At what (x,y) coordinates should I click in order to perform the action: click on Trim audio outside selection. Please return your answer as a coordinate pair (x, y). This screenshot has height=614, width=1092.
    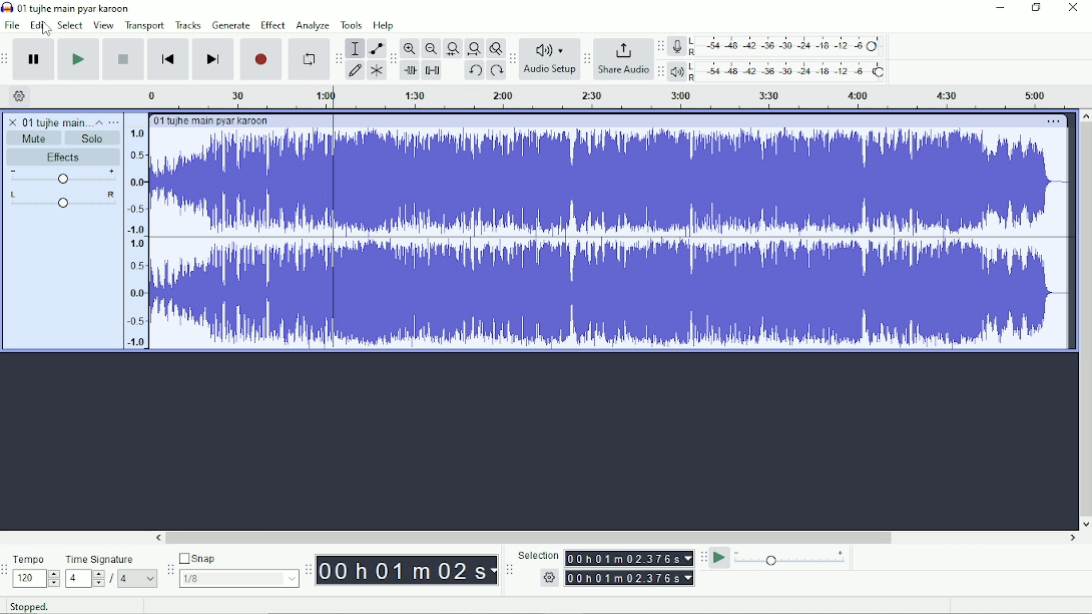
    Looking at the image, I should click on (410, 71).